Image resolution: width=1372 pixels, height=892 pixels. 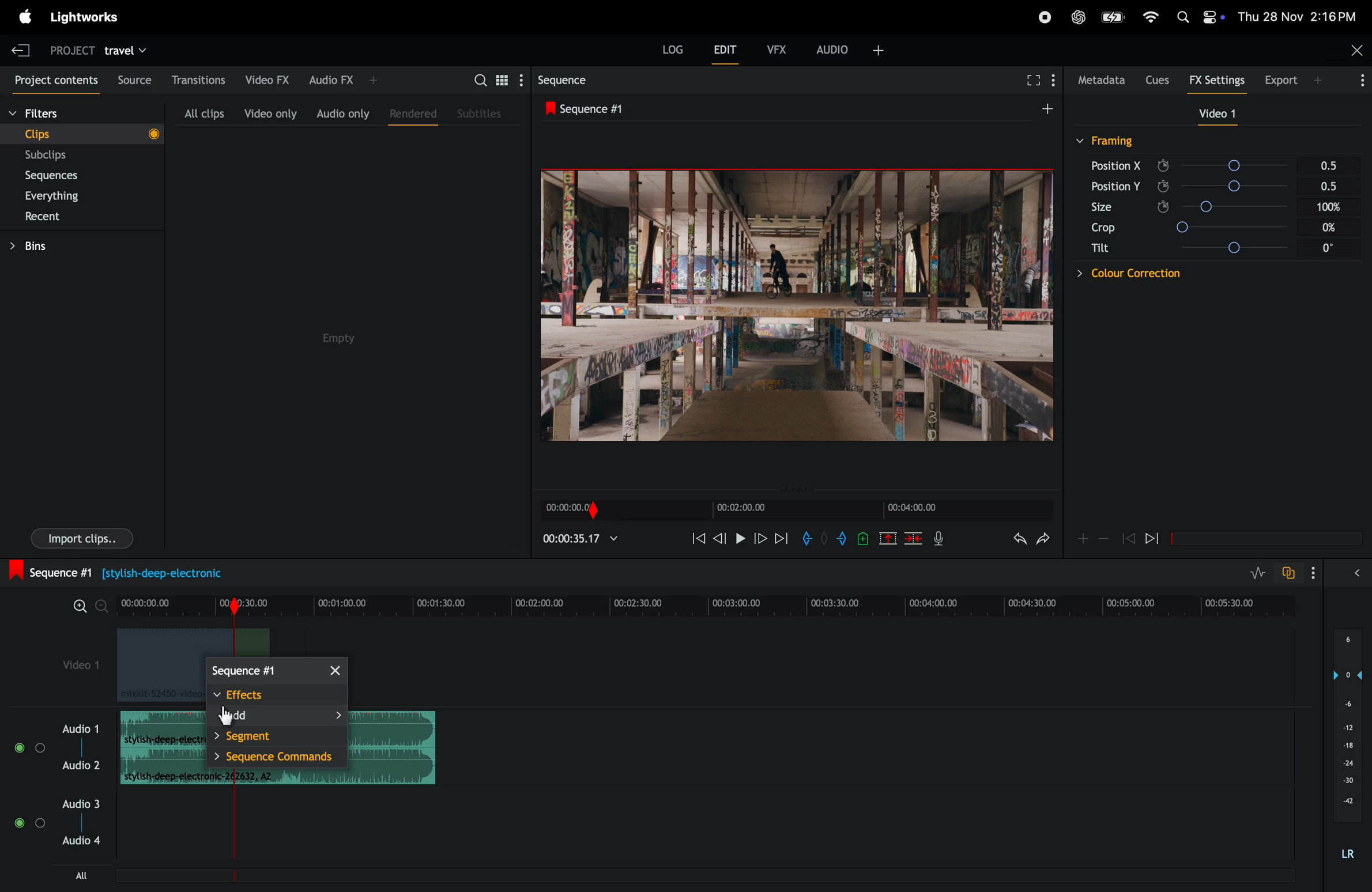 I want to click on date and time, so click(x=1302, y=16).